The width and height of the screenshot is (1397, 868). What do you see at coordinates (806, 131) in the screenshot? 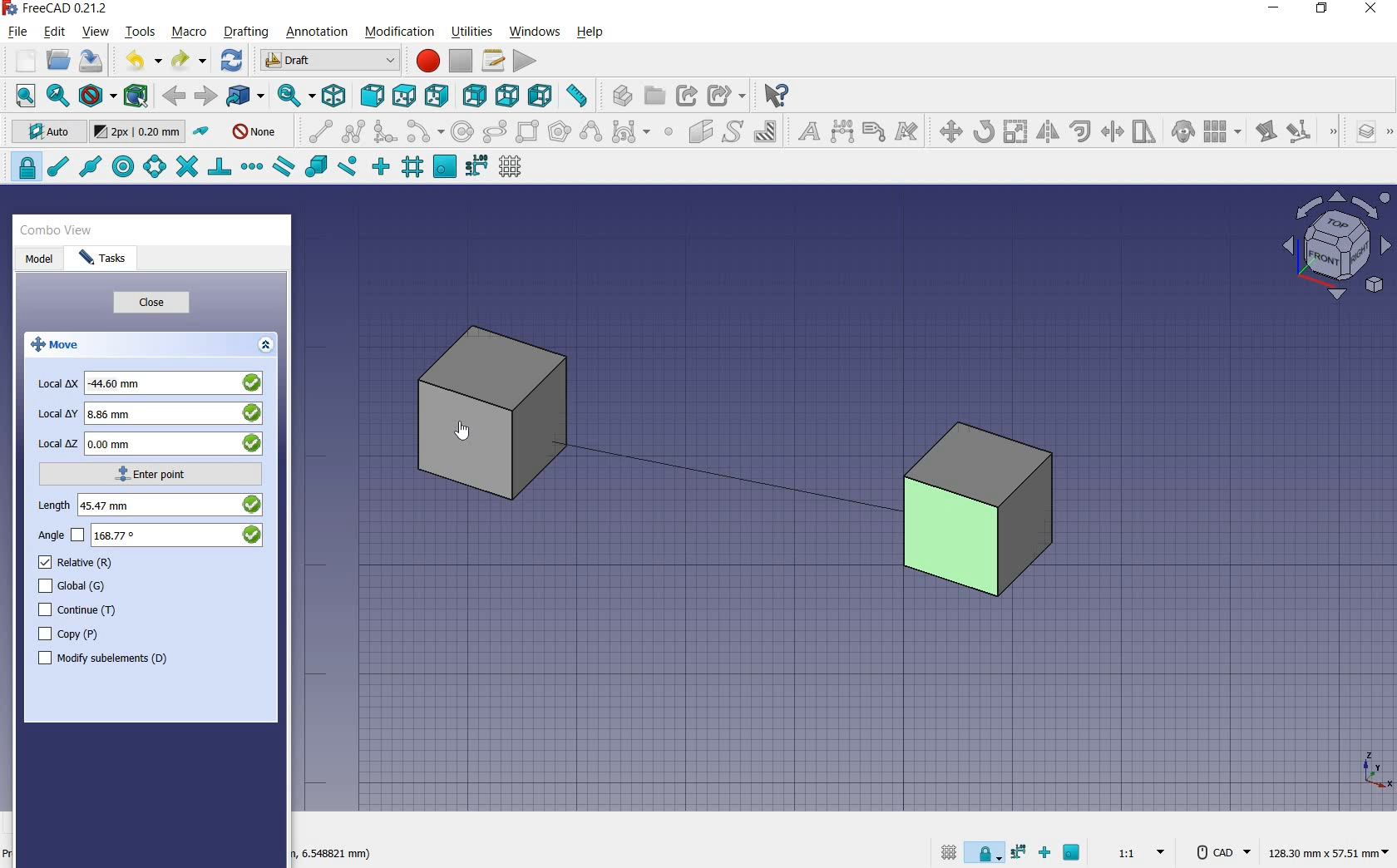
I see `text` at bounding box center [806, 131].